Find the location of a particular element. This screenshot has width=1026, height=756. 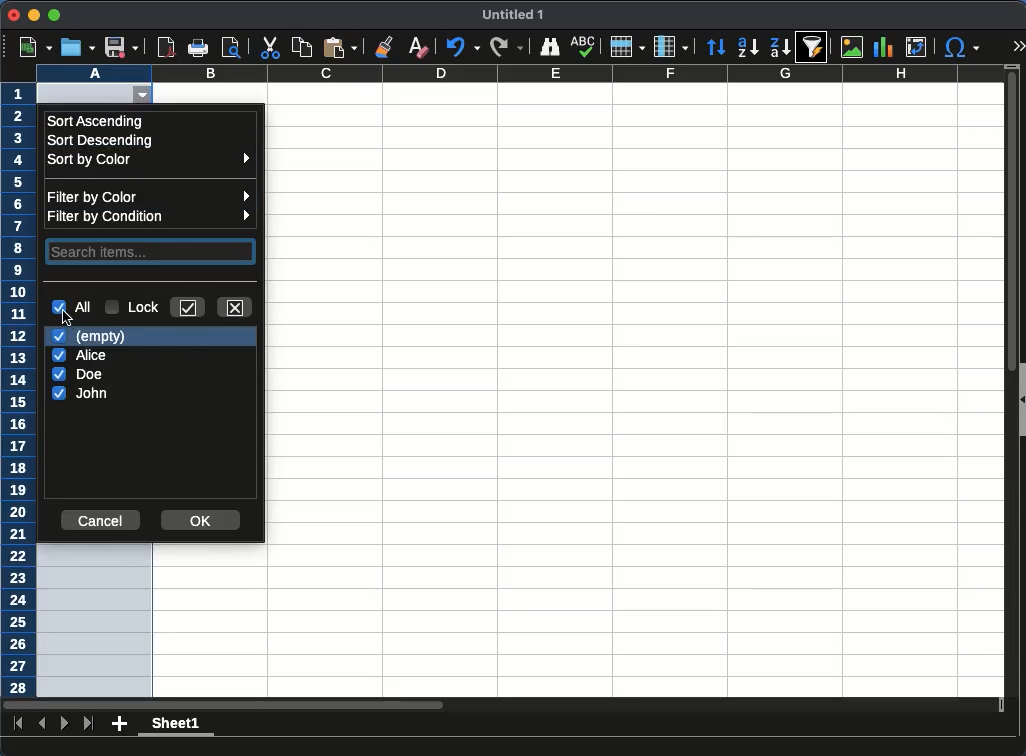

paste is located at coordinates (340, 47).